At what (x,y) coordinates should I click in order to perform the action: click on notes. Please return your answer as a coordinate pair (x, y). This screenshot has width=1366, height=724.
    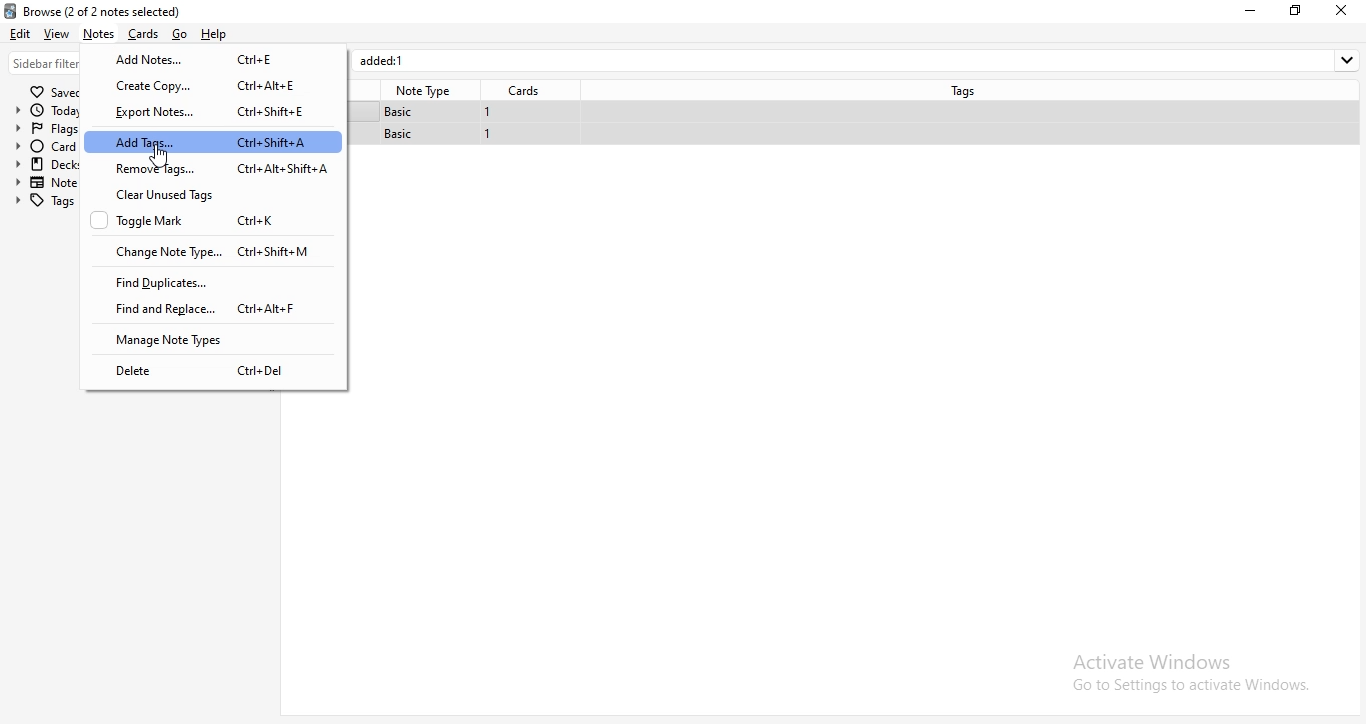
    Looking at the image, I should click on (98, 33).